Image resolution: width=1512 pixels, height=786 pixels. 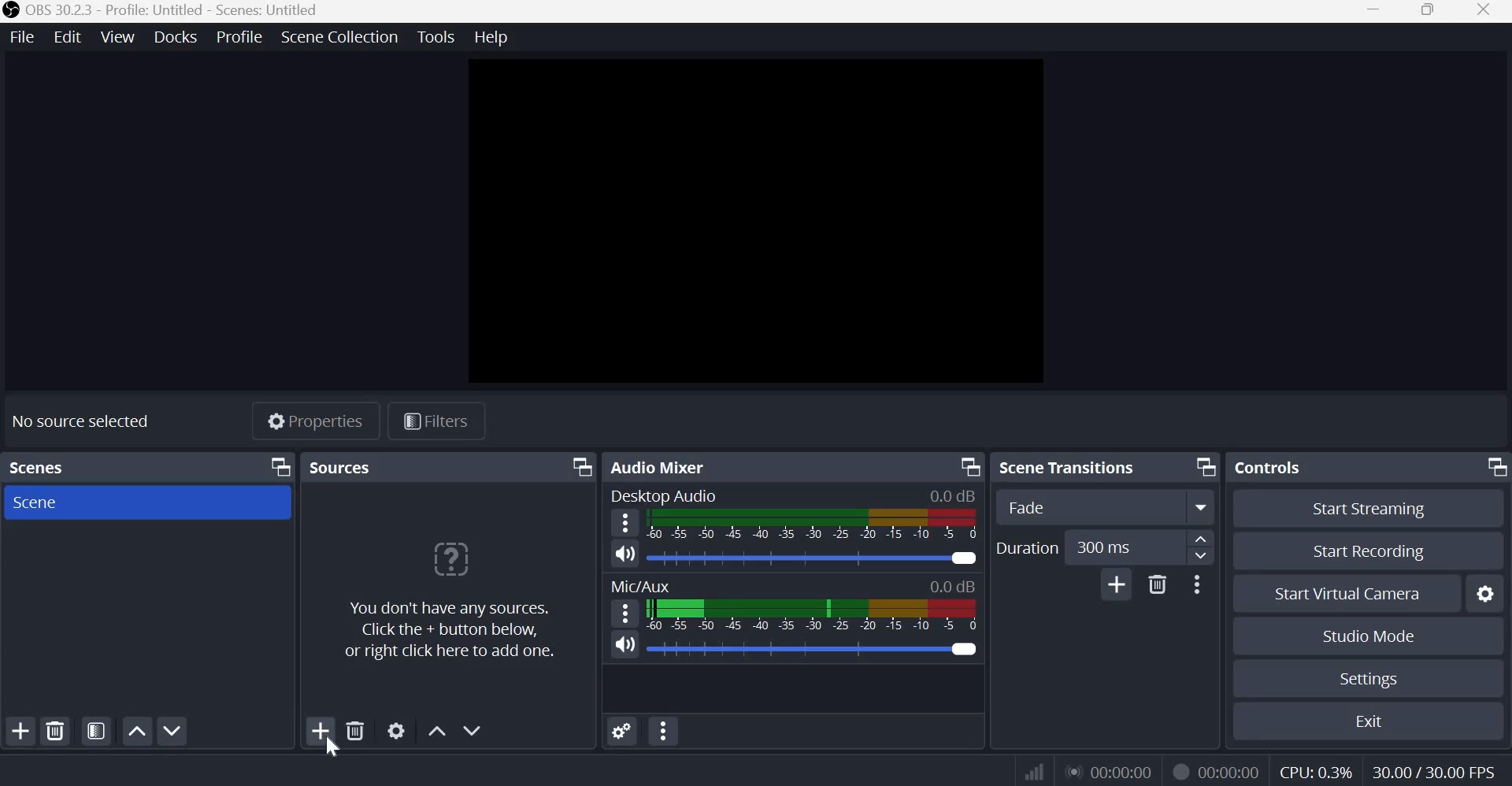 What do you see at coordinates (1367, 679) in the screenshot?
I see `Settings` at bounding box center [1367, 679].